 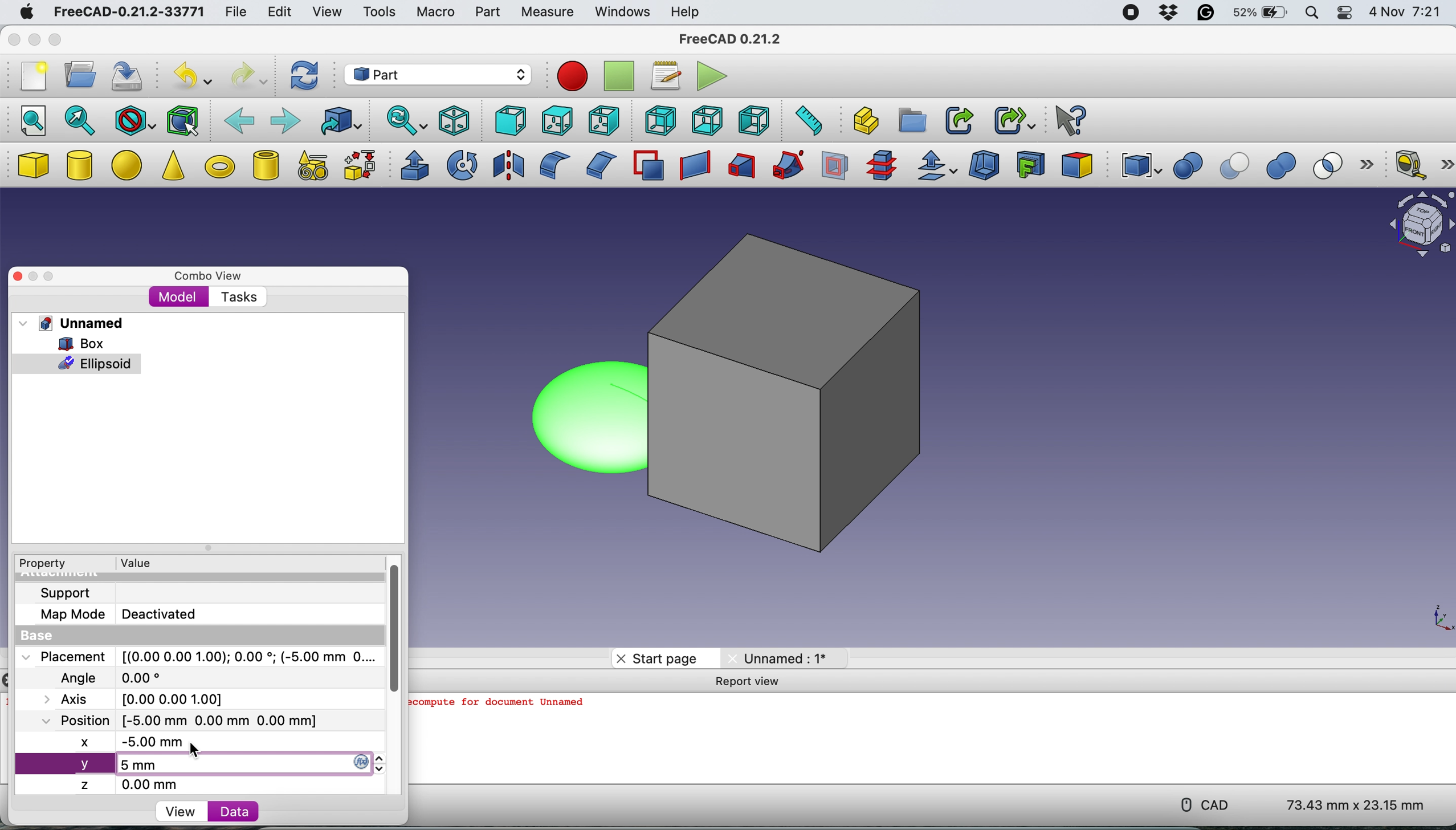 I want to click on unnamed, so click(x=71, y=323).